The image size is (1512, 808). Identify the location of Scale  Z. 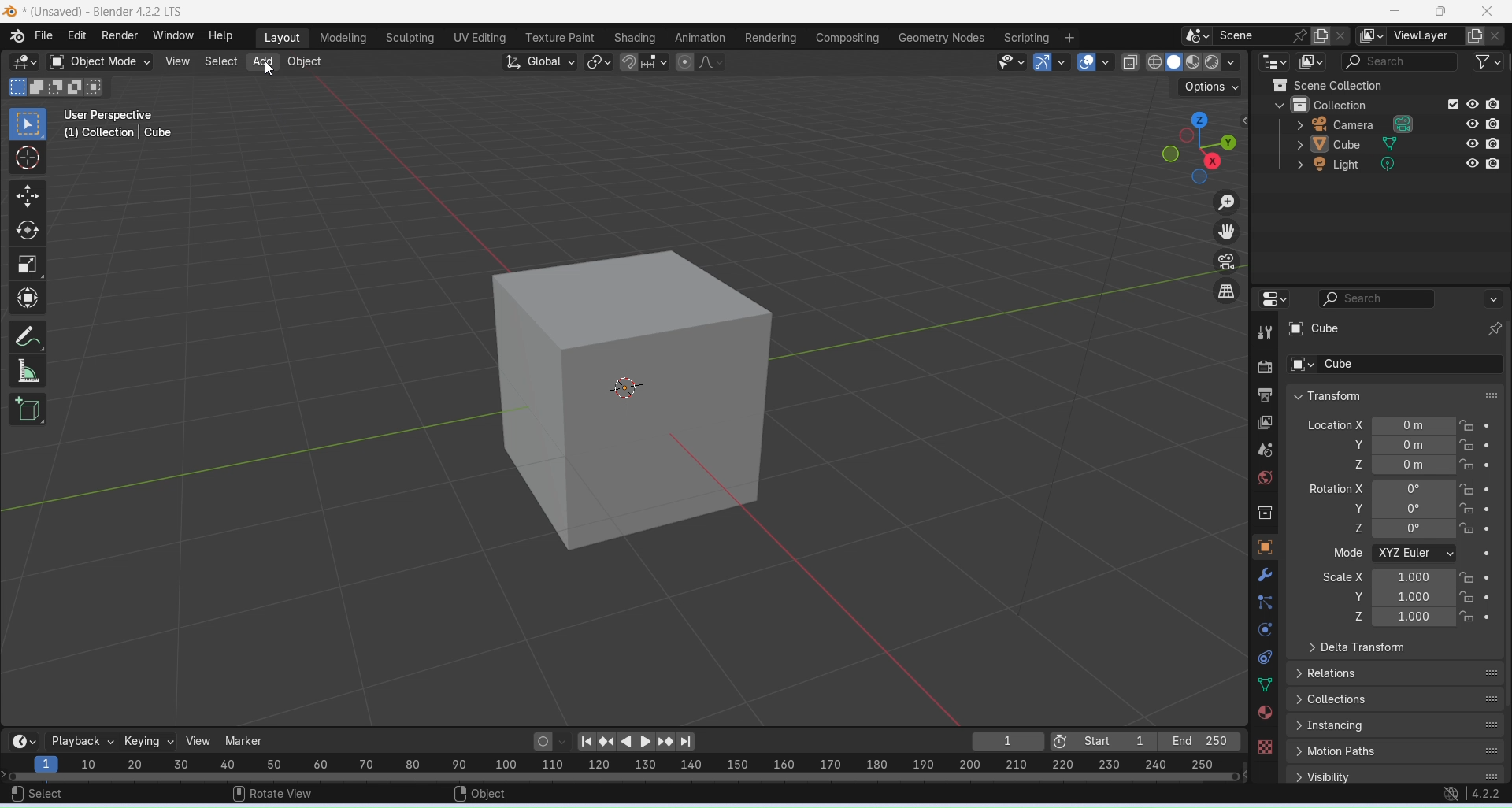
(1358, 616).